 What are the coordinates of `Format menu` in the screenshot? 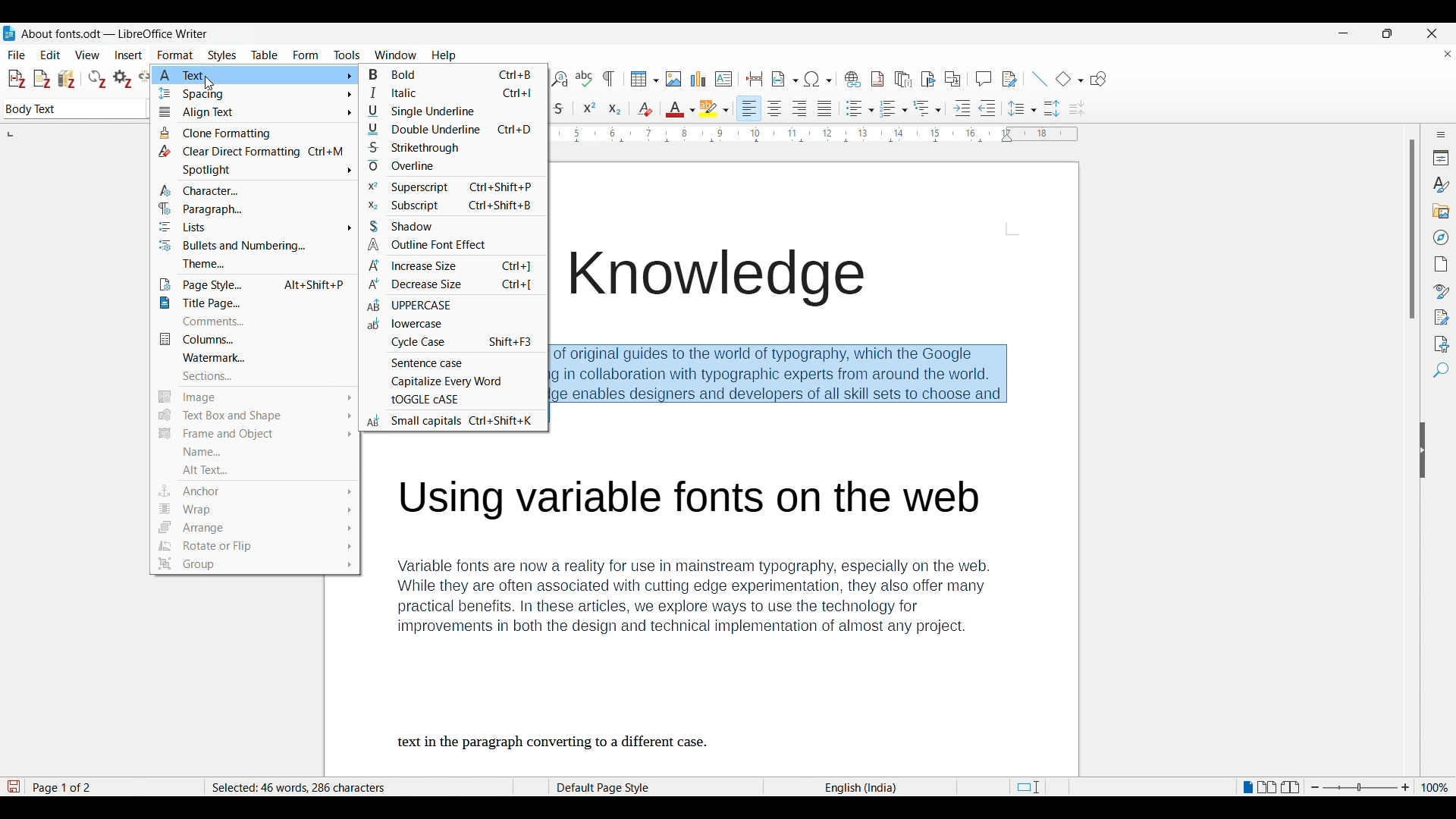 It's located at (175, 55).